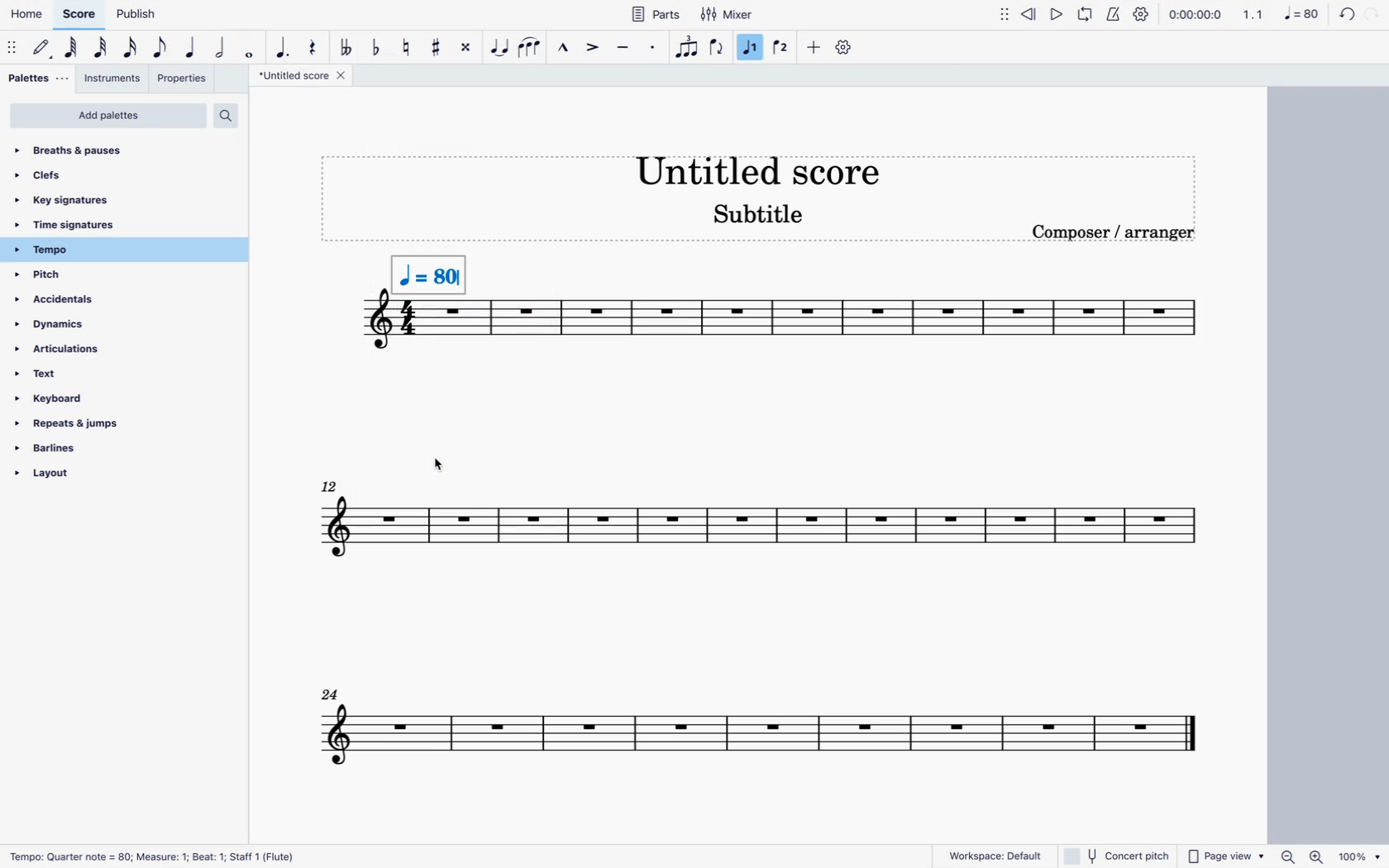  I want to click on flip direction, so click(716, 49).